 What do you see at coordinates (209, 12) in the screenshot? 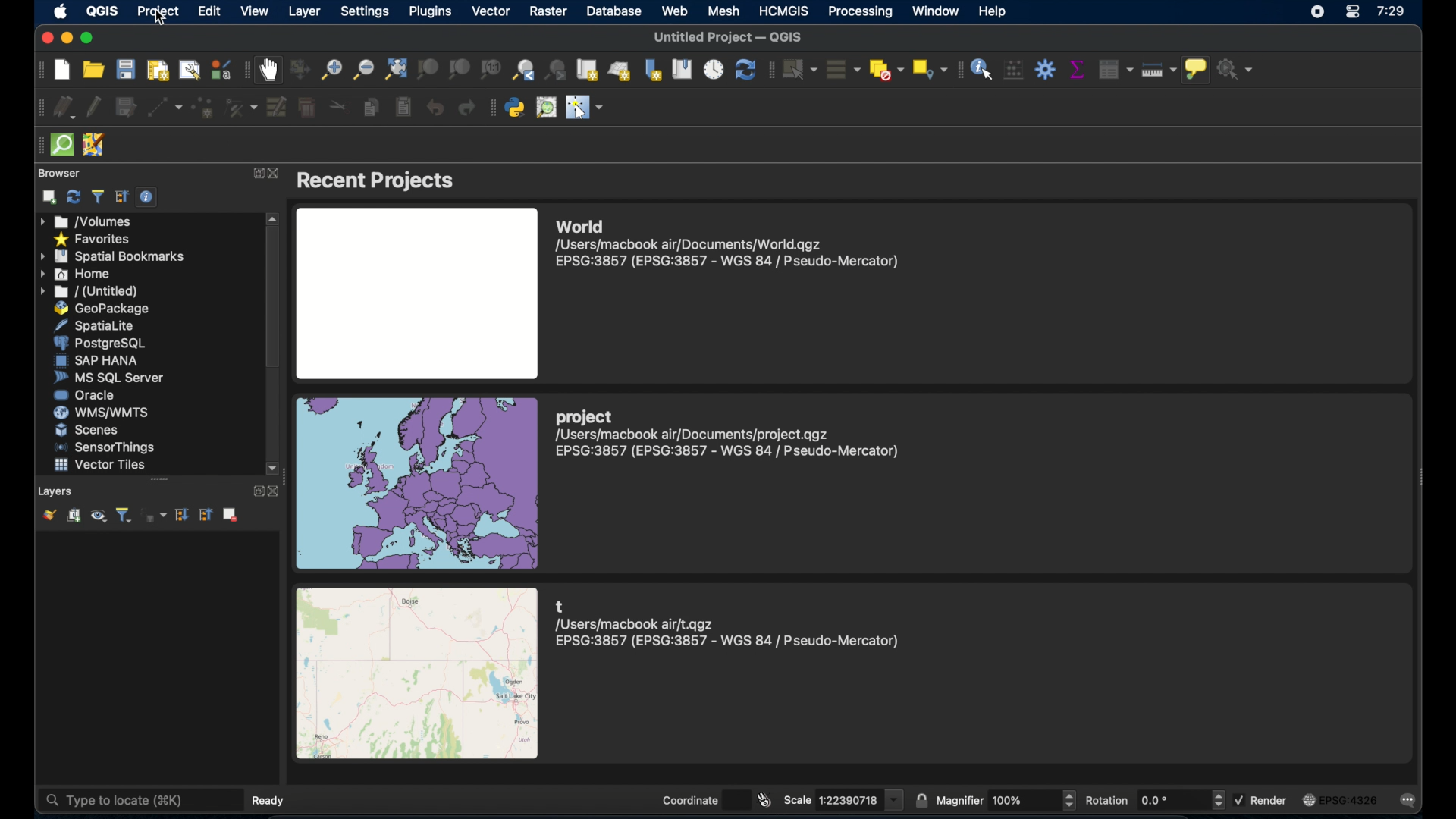
I see `edit` at bounding box center [209, 12].